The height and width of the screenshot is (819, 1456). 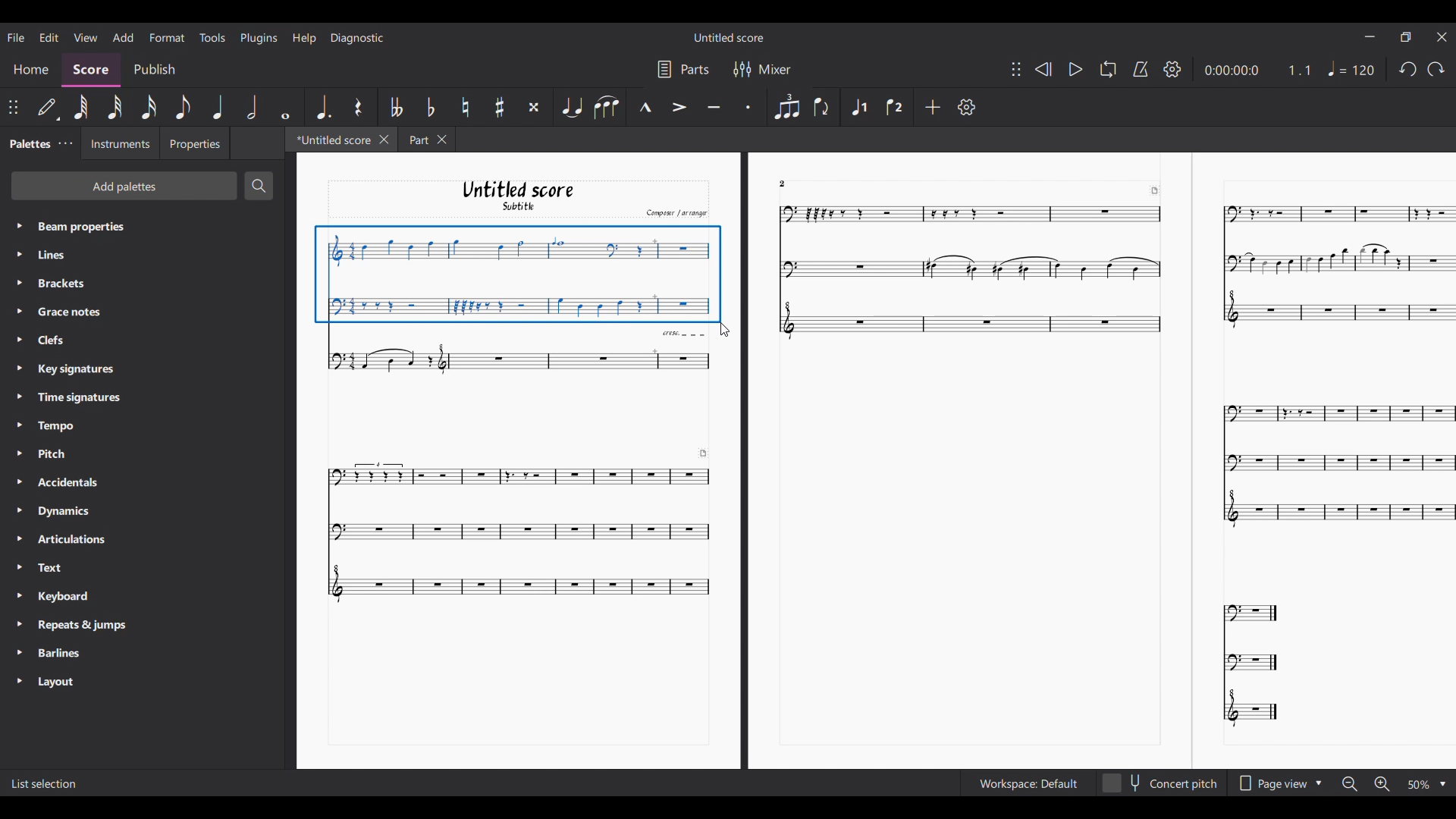 I want to click on , so click(x=1341, y=260).